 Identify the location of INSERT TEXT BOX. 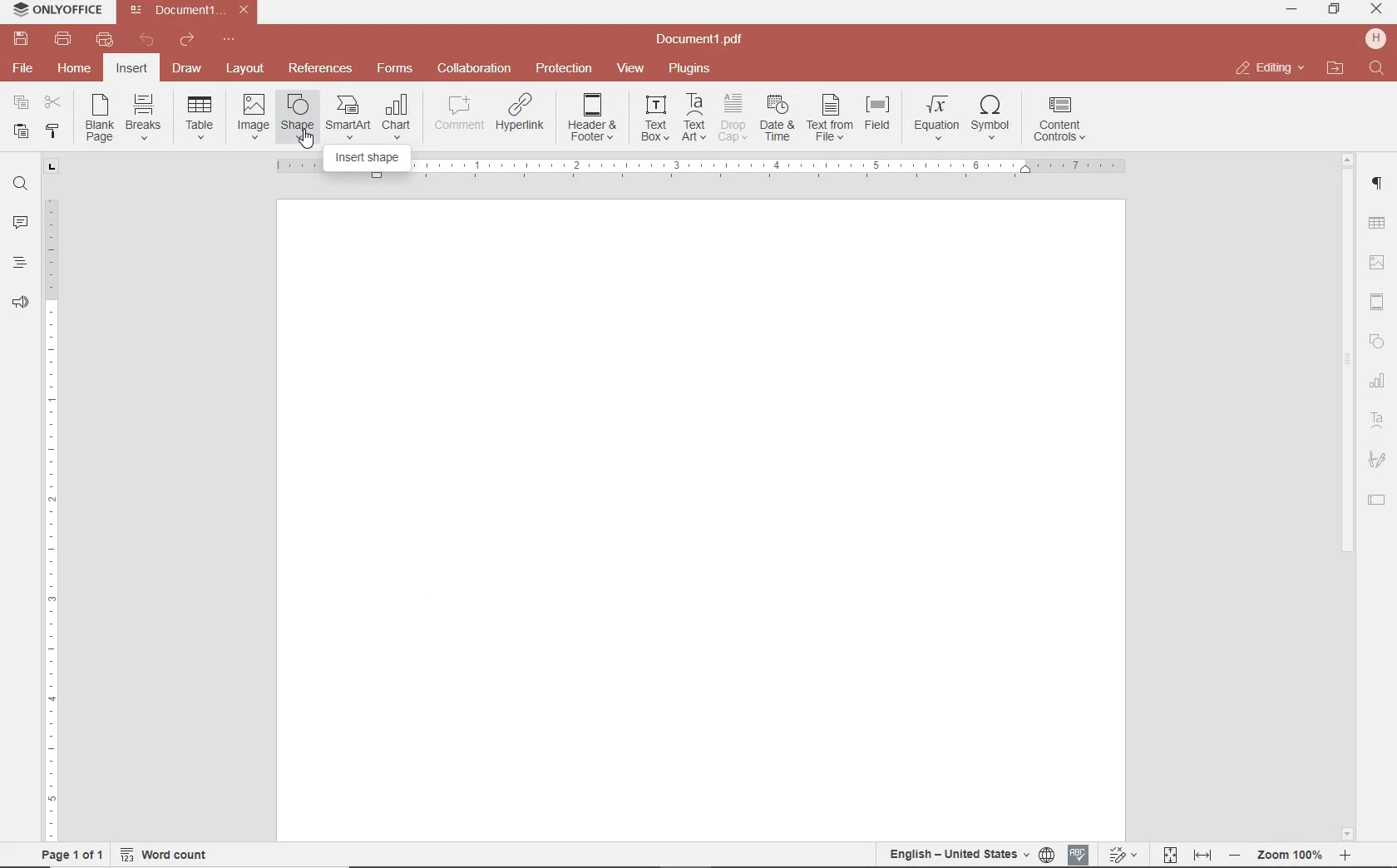
(654, 117).